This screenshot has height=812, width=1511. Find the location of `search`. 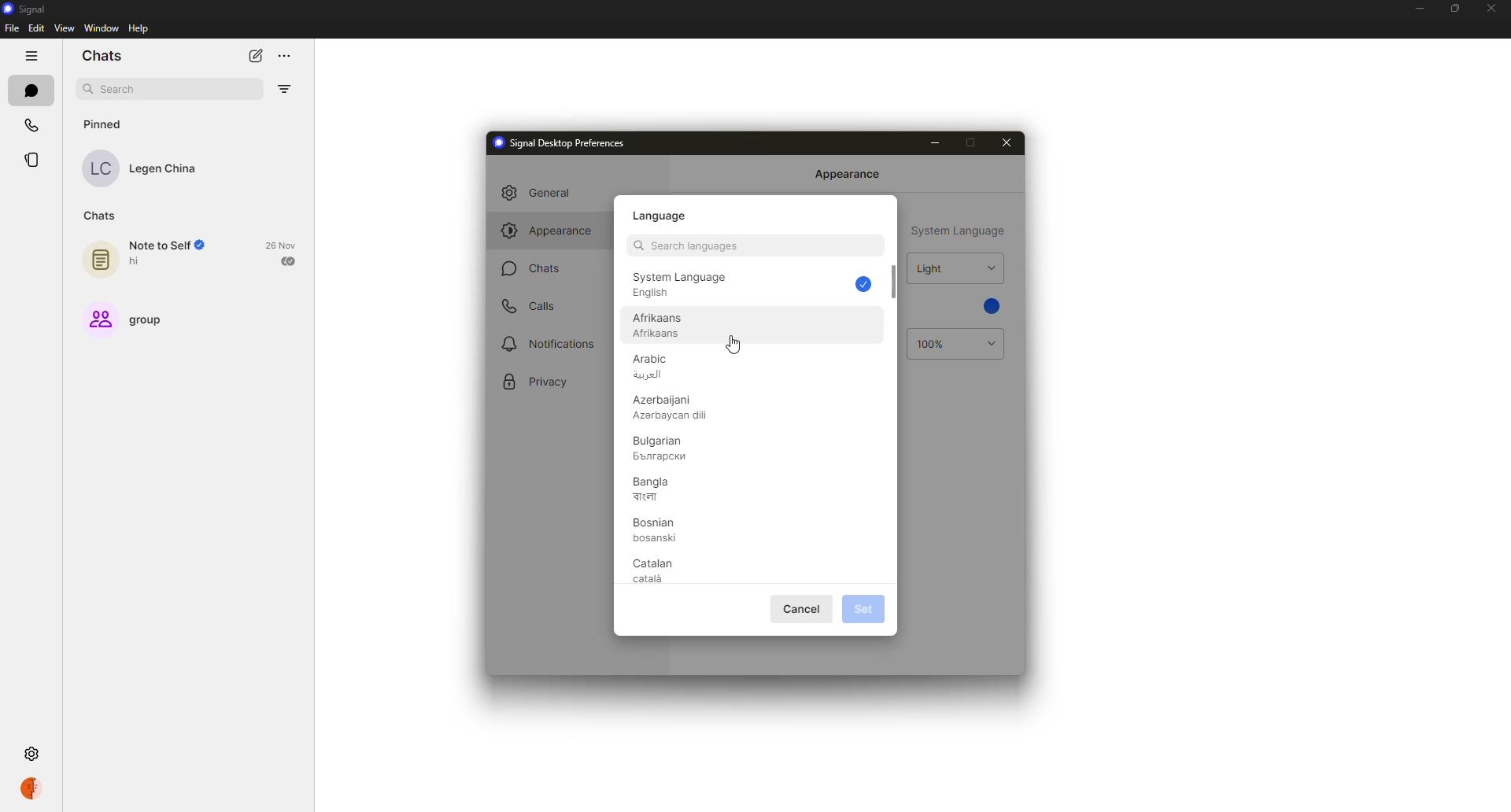

search is located at coordinates (116, 90).